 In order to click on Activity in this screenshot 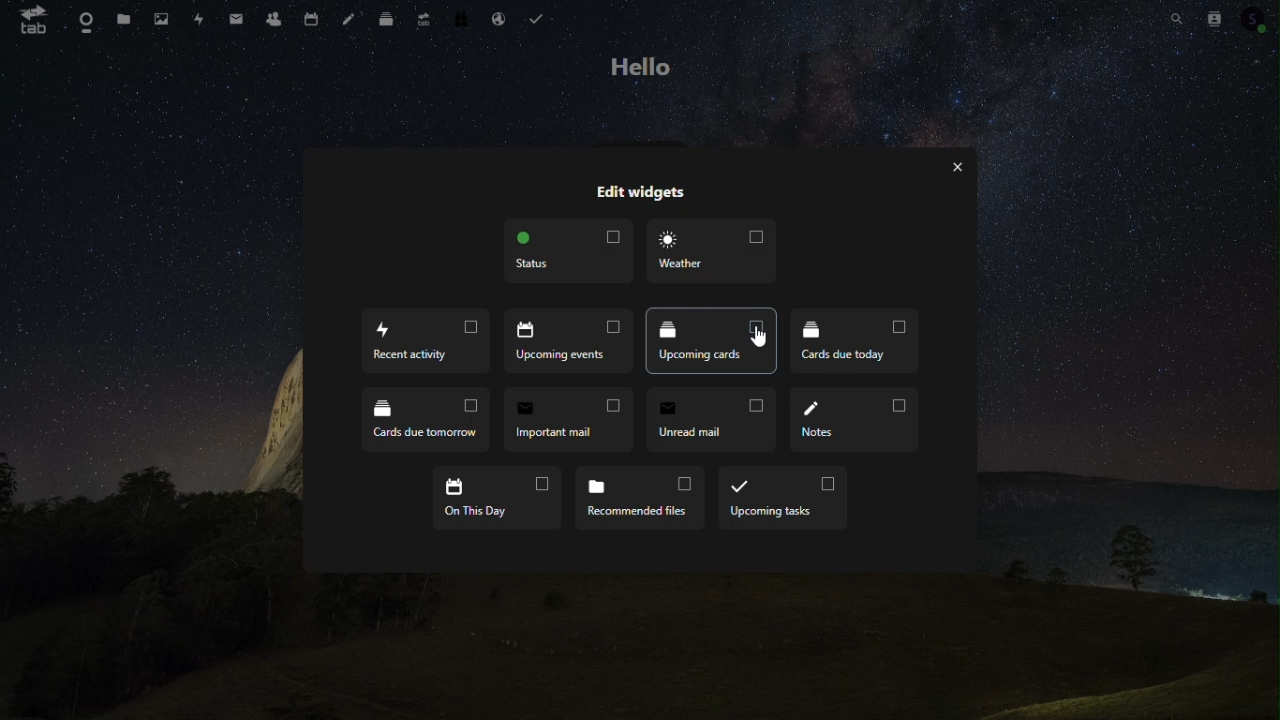, I will do `click(200, 18)`.